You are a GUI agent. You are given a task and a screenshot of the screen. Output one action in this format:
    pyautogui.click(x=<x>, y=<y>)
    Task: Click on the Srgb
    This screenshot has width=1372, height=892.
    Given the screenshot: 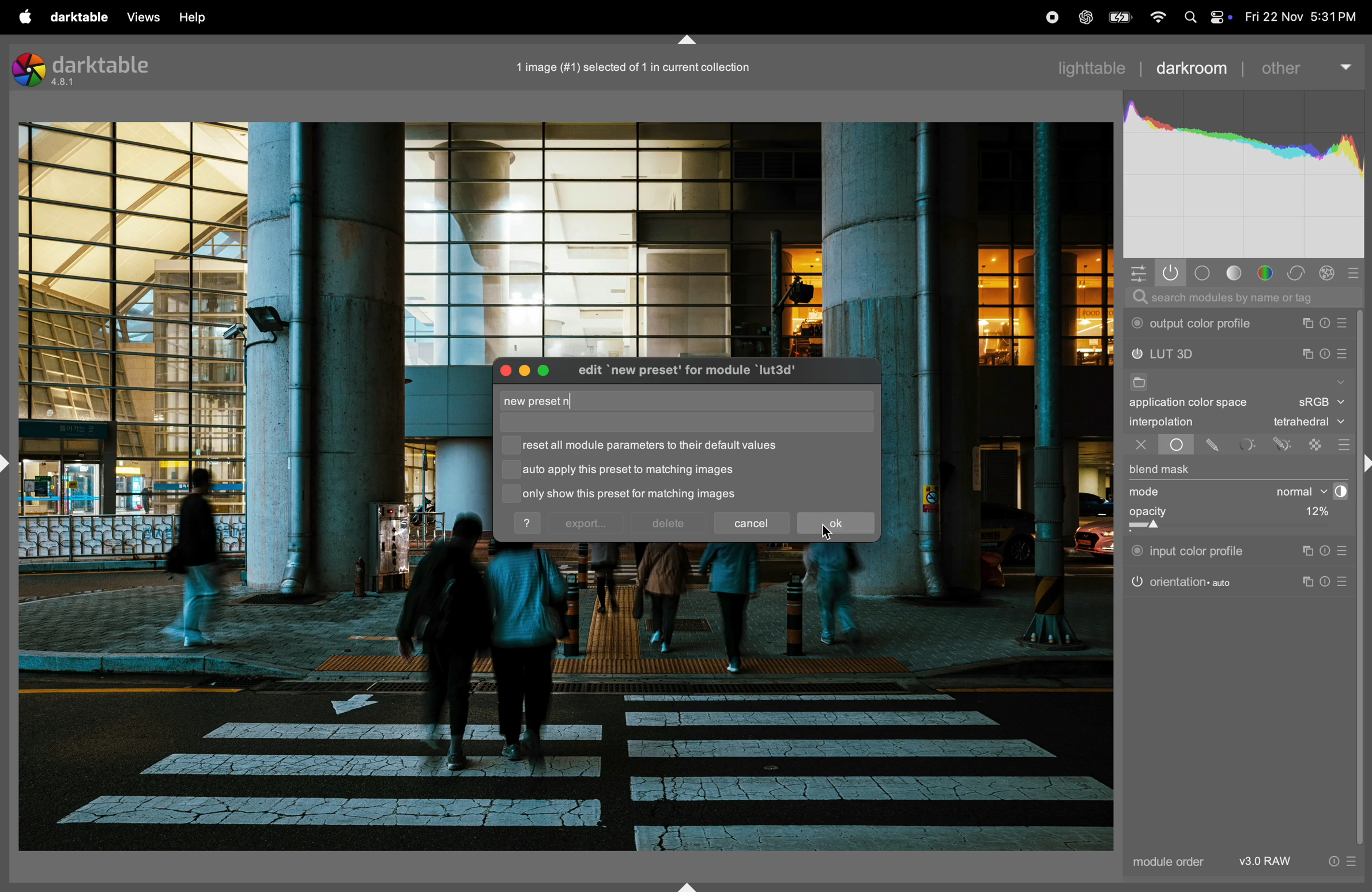 What is the action you would take?
    pyautogui.click(x=1321, y=403)
    